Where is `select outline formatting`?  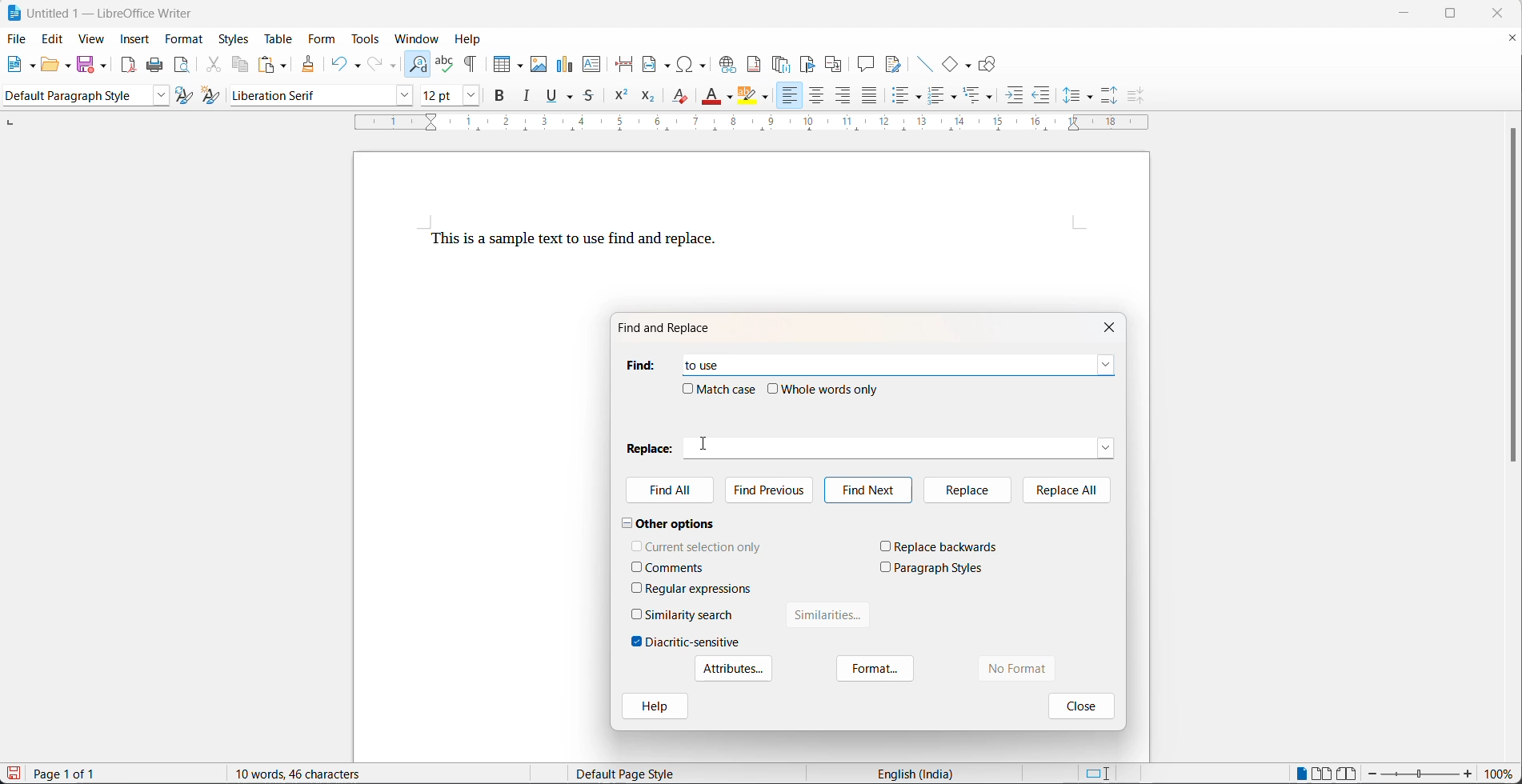 select outline formatting is located at coordinates (984, 95).